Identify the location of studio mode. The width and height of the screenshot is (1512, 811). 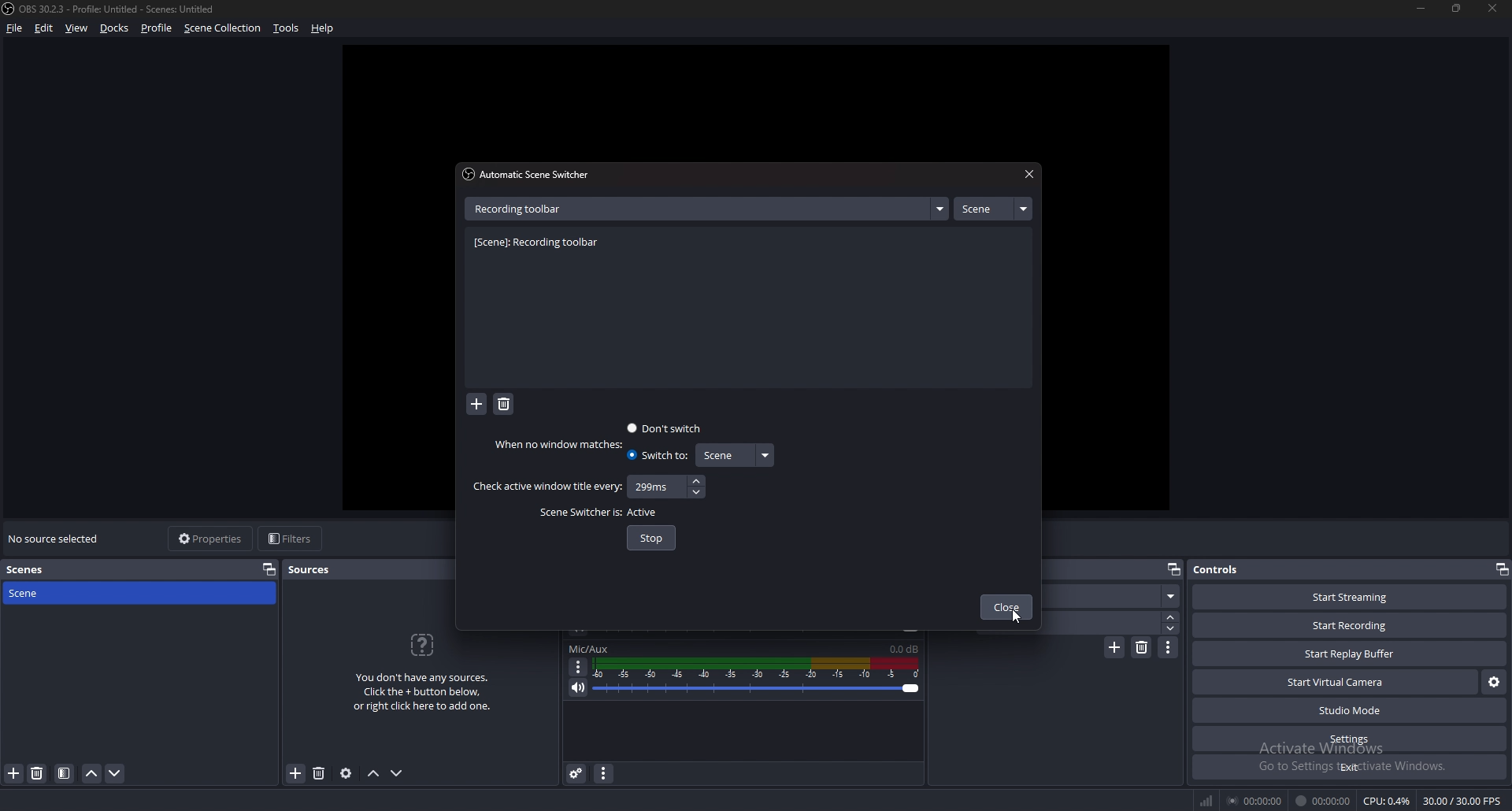
(1350, 711).